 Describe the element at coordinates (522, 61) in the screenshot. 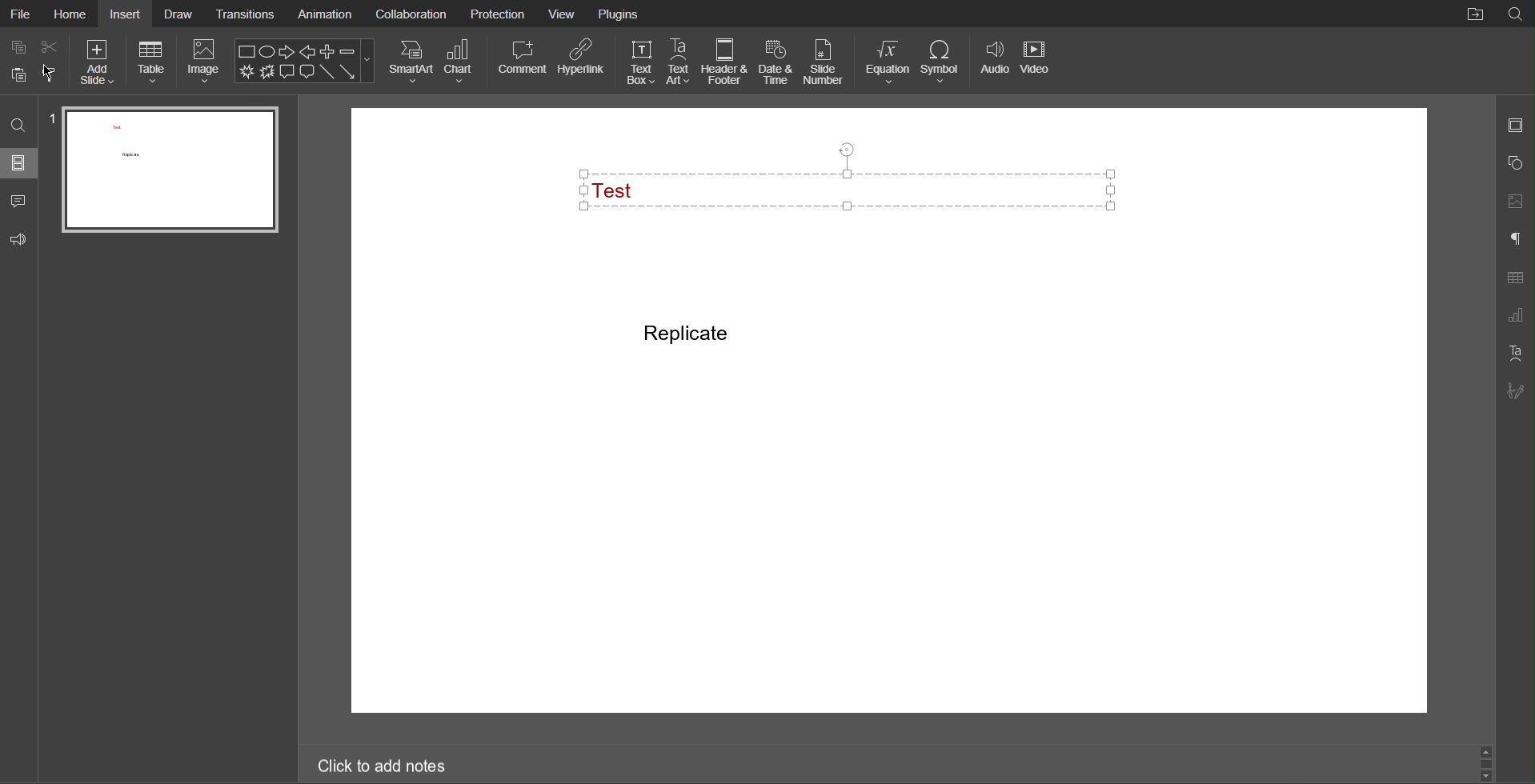

I see `Comment` at that location.